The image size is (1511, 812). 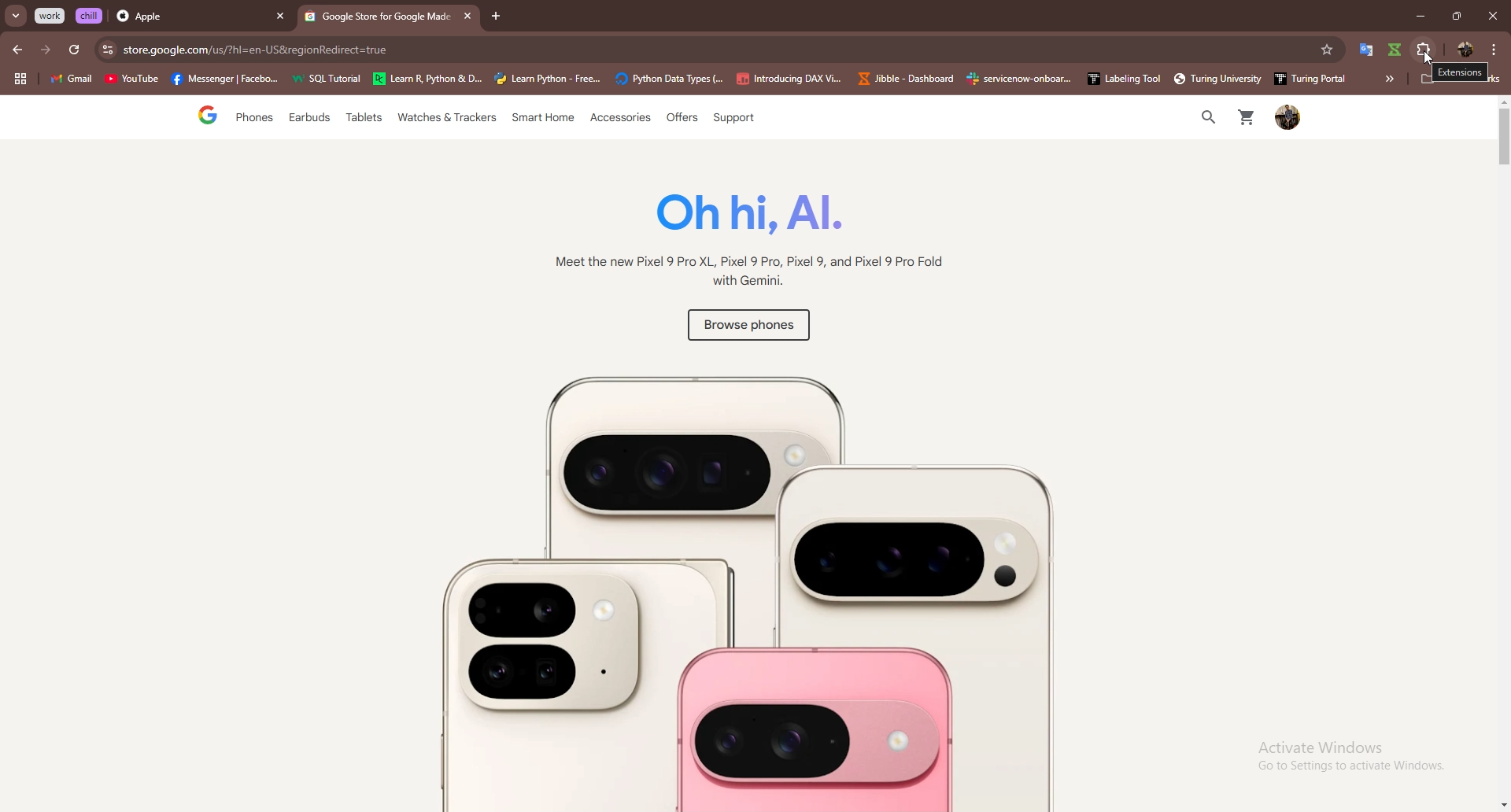 I want to click on support, so click(x=733, y=119).